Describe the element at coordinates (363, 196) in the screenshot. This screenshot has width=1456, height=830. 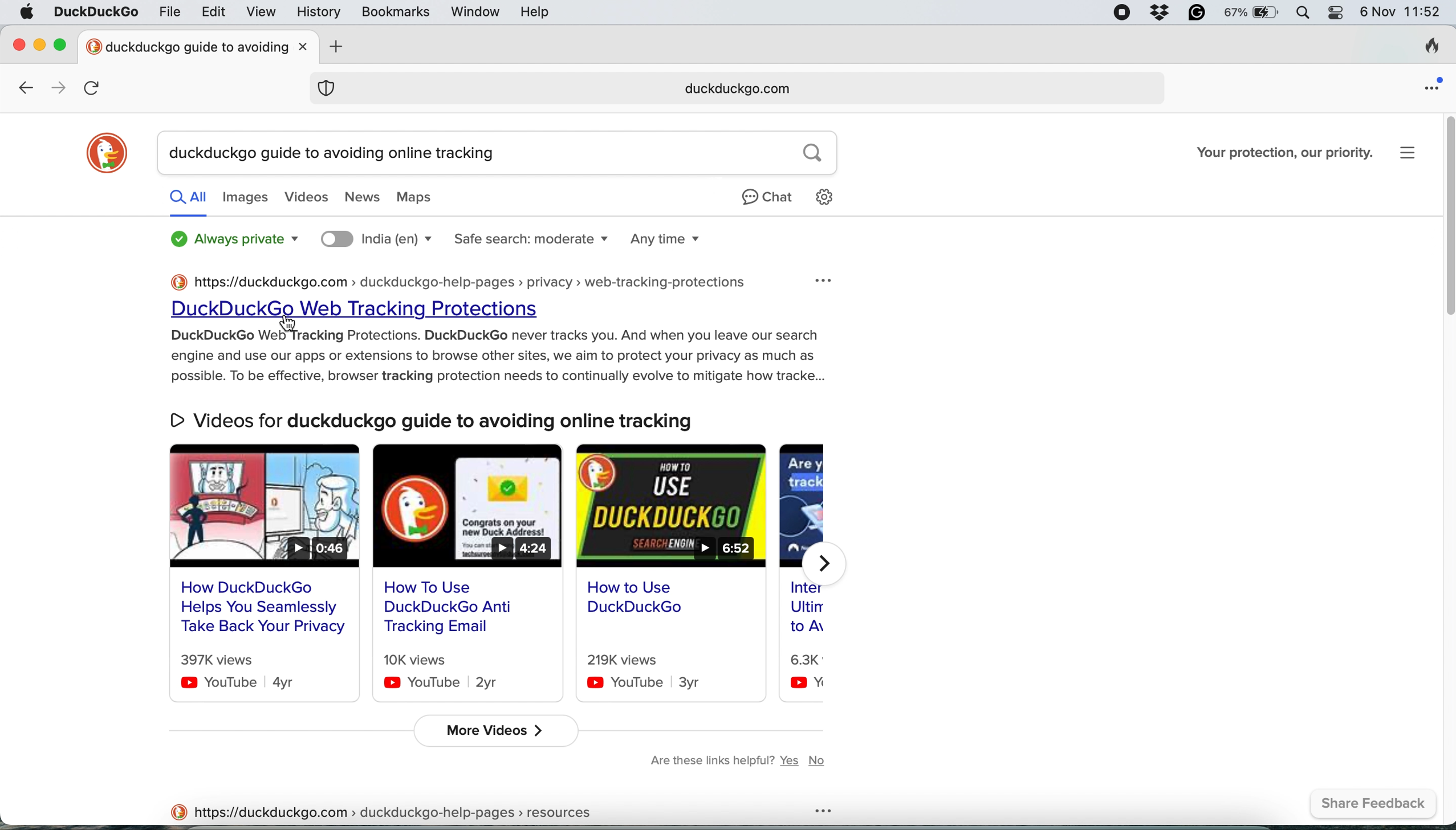
I see `news` at that location.